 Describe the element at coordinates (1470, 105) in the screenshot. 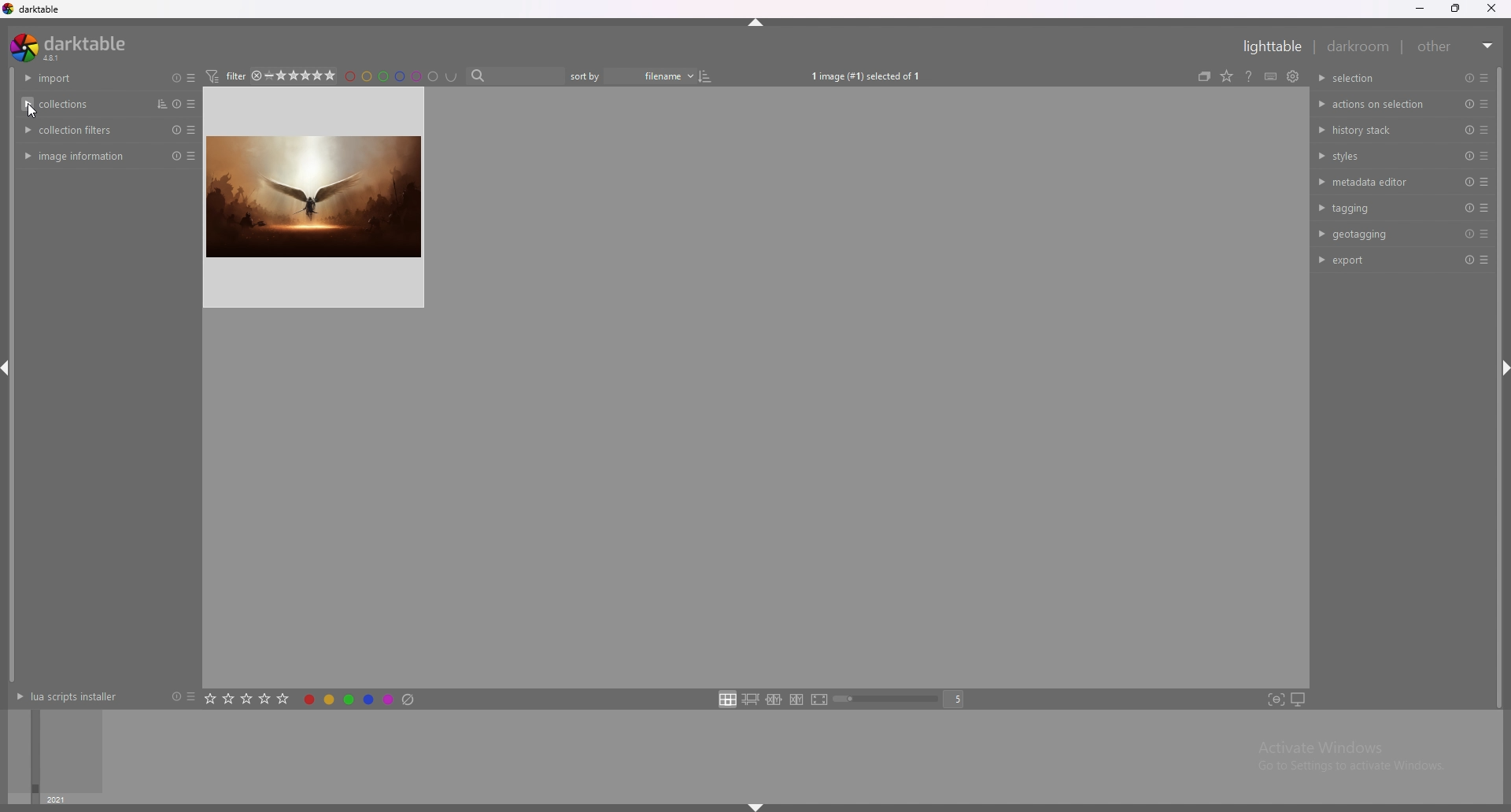

I see `reset` at that location.